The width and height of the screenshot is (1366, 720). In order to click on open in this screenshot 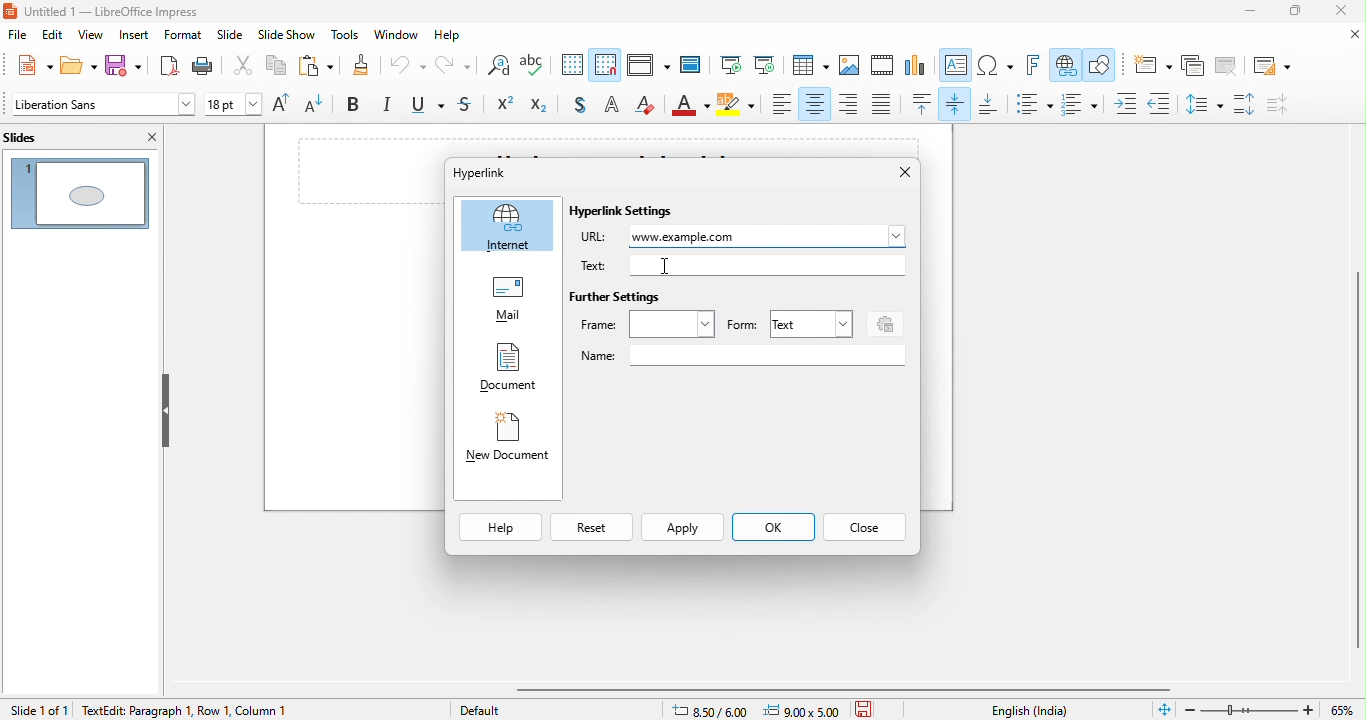, I will do `click(76, 66)`.